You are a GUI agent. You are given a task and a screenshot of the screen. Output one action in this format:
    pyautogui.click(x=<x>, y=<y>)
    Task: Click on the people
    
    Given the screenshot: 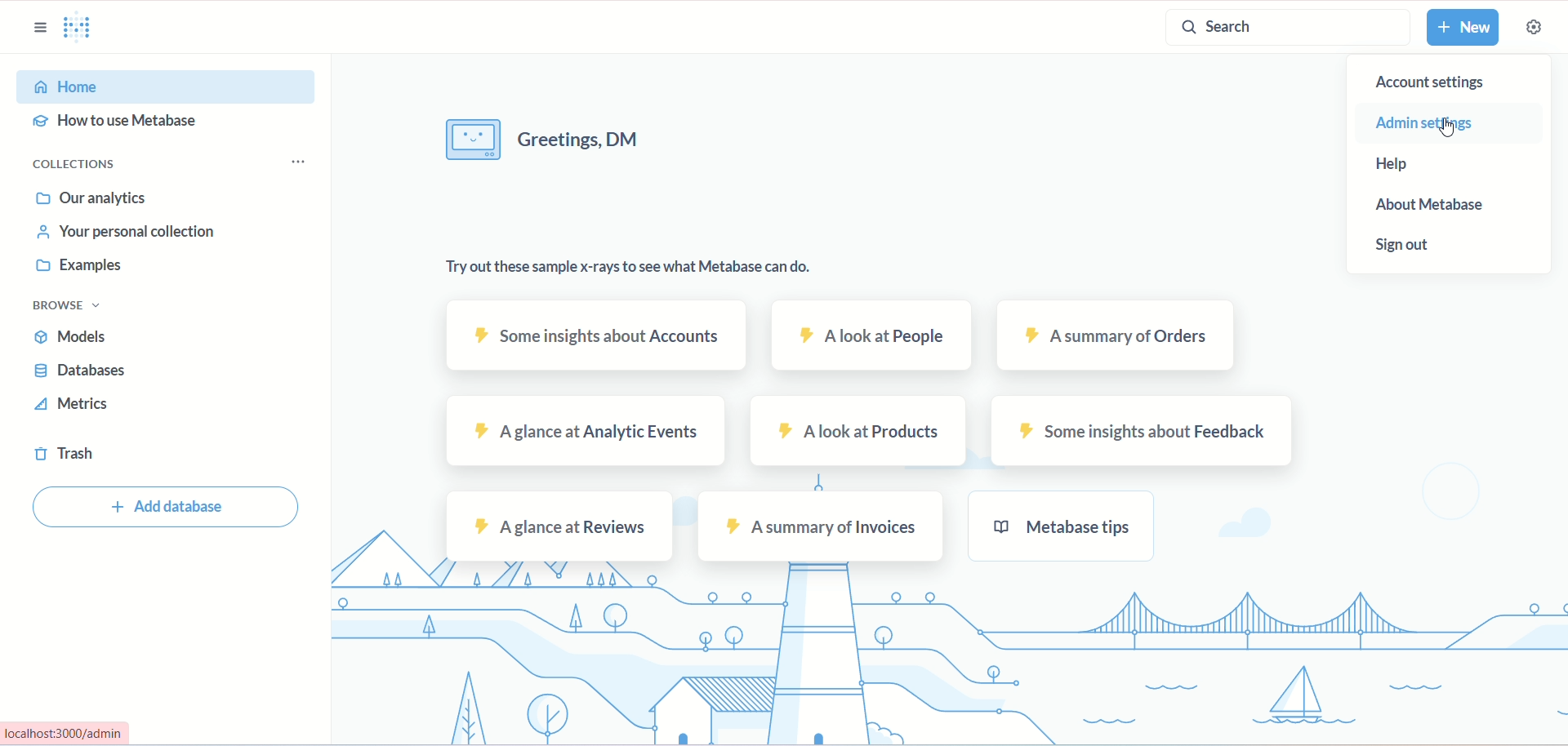 What is the action you would take?
    pyautogui.click(x=874, y=335)
    